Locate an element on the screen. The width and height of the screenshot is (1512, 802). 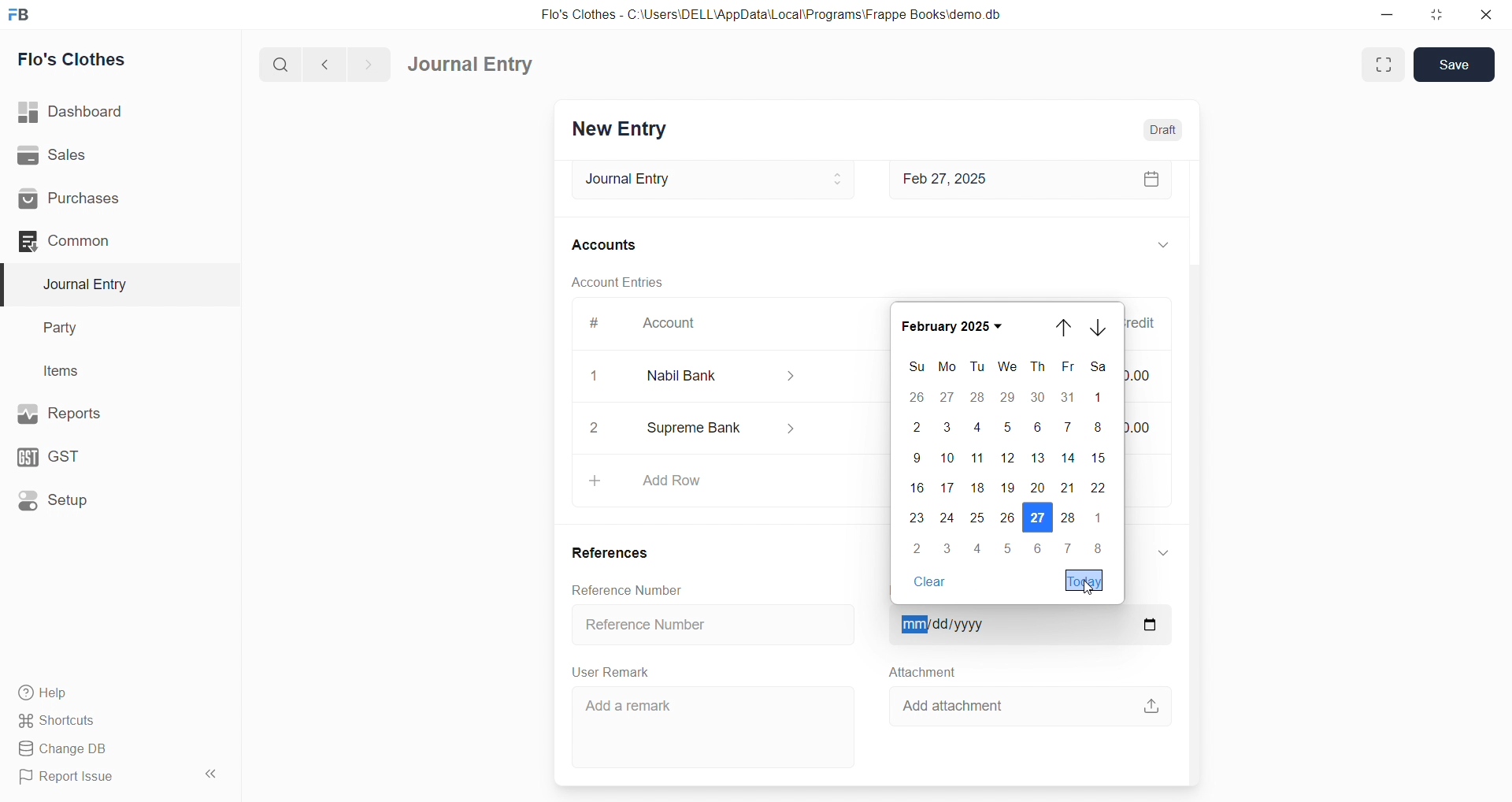
MO is located at coordinates (948, 367).